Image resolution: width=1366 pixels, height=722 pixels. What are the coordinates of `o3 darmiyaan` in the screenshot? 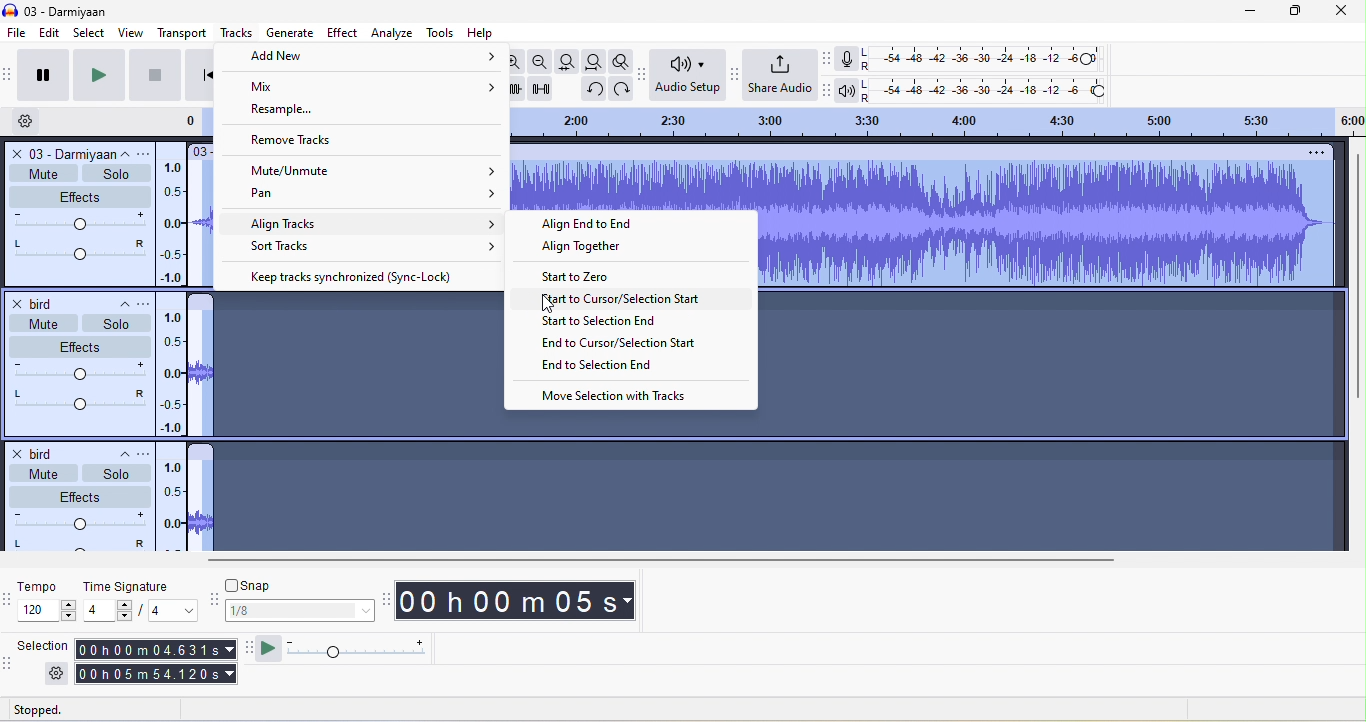 It's located at (59, 152).